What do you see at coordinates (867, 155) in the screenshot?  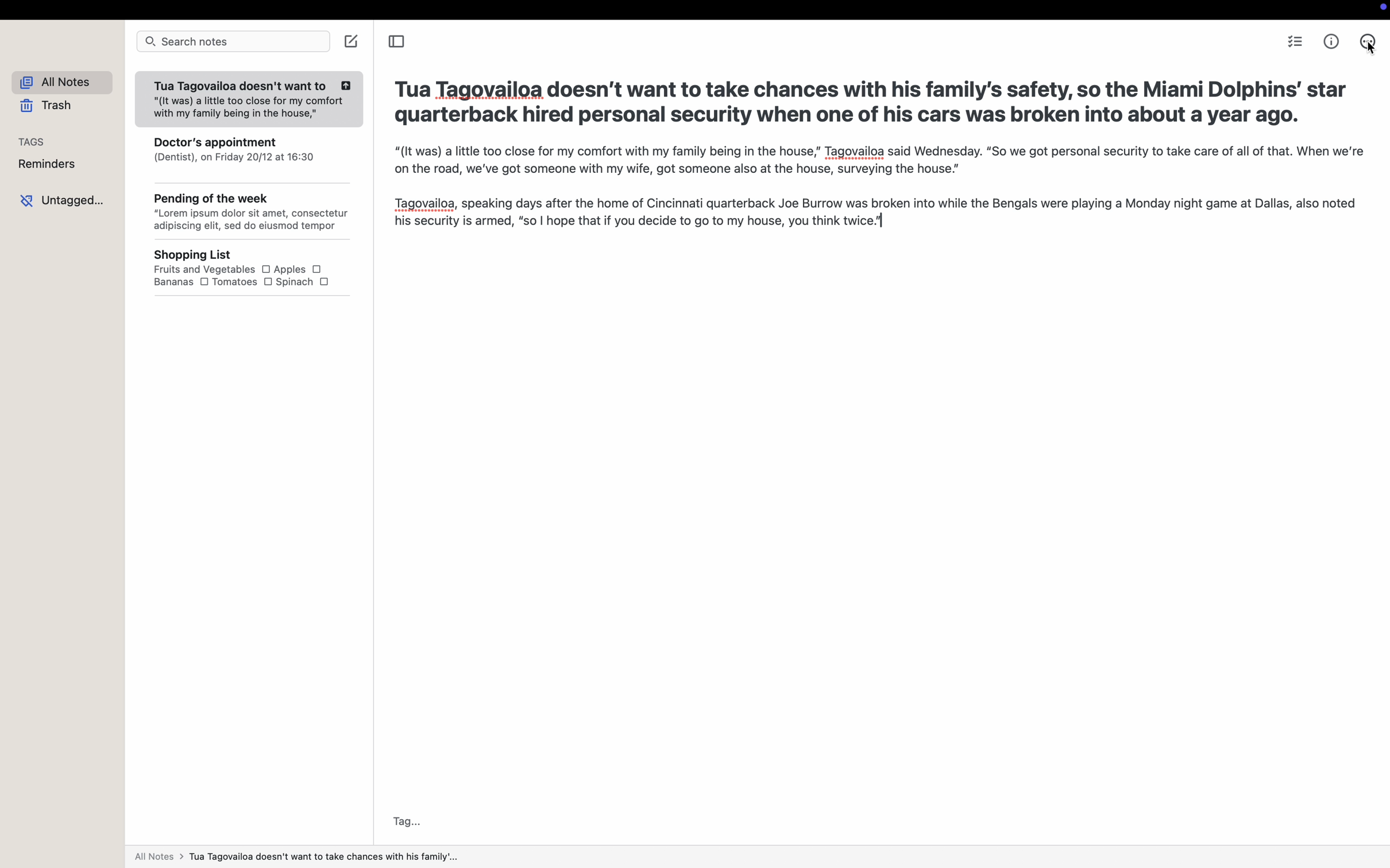 I see `Tua Tagovailoa doesn’t want to take chances with his family's safety, so the Miami Dolphins’ star
quarterback hired personal security when one of his cars was broken into about a year ago.

"(It was) a little too close for my comfort with my family being in the house,” Tagovailoa said Wednesday. “So we got personal security to take care of all of that. When we're
on the road, we've got someone with my wife, got someone also at the house, surveying the house.”

Tagovailoa, speaking days after the home of Cincinnati quarterback Joe Burrow was broken into while the Bengals were playing a Monday night game at Dallas, also noted
his security is armed, “so | hope that if you decide to go to my house, you think twice]` at bounding box center [867, 155].